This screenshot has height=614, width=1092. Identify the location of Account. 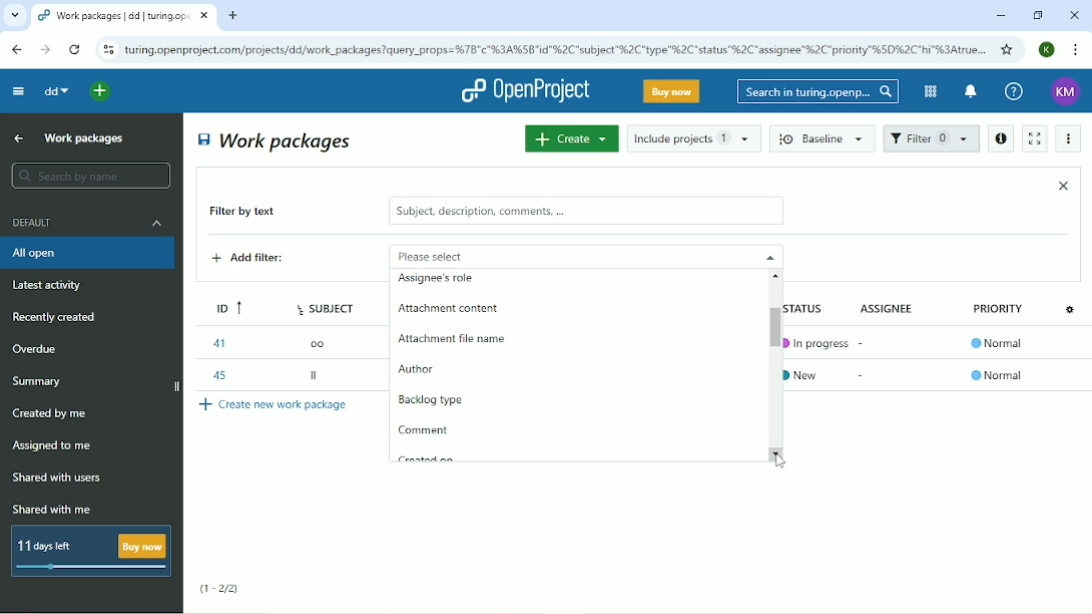
(1048, 49).